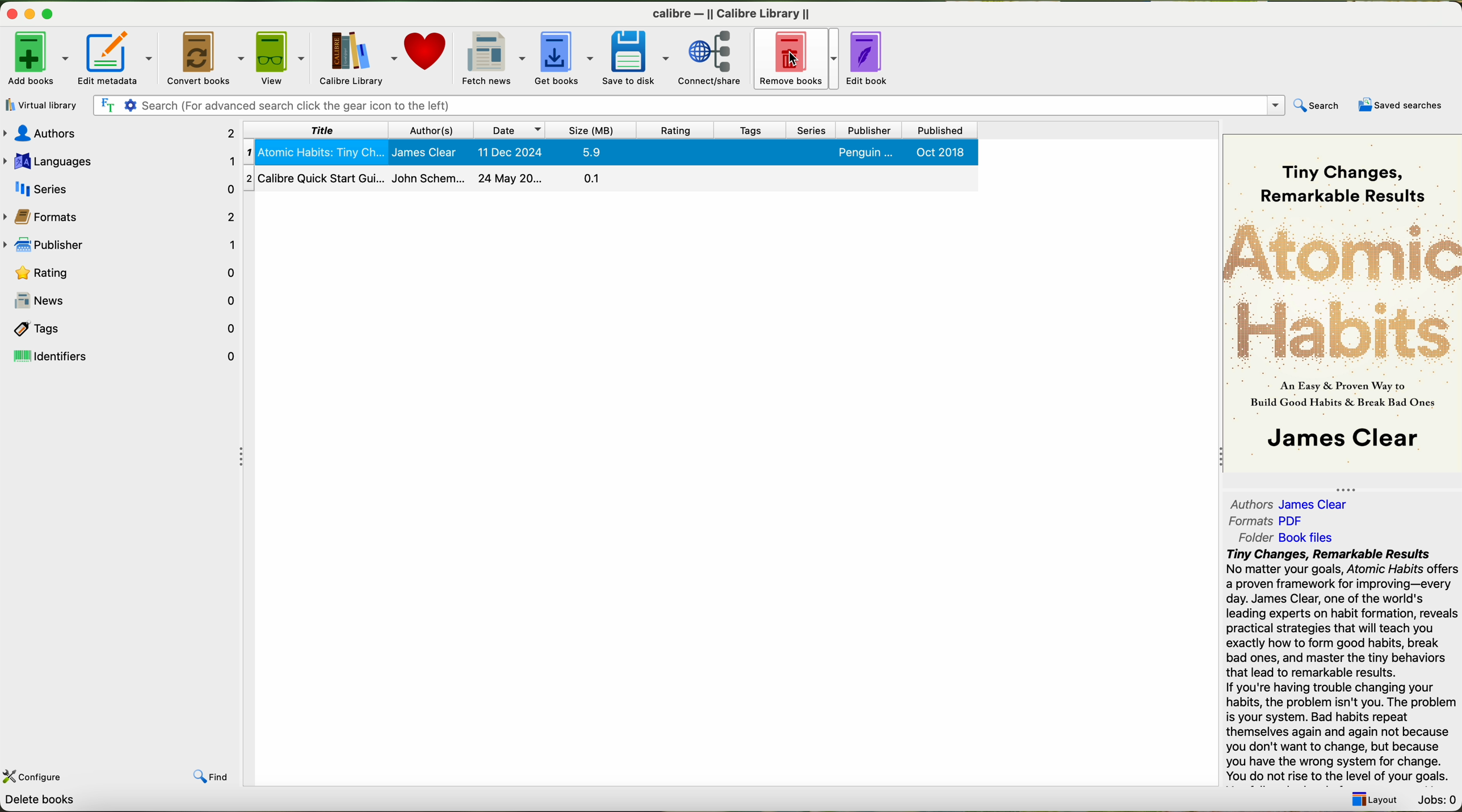 The image size is (1462, 812). Describe the element at coordinates (676, 129) in the screenshot. I see `rating` at that location.